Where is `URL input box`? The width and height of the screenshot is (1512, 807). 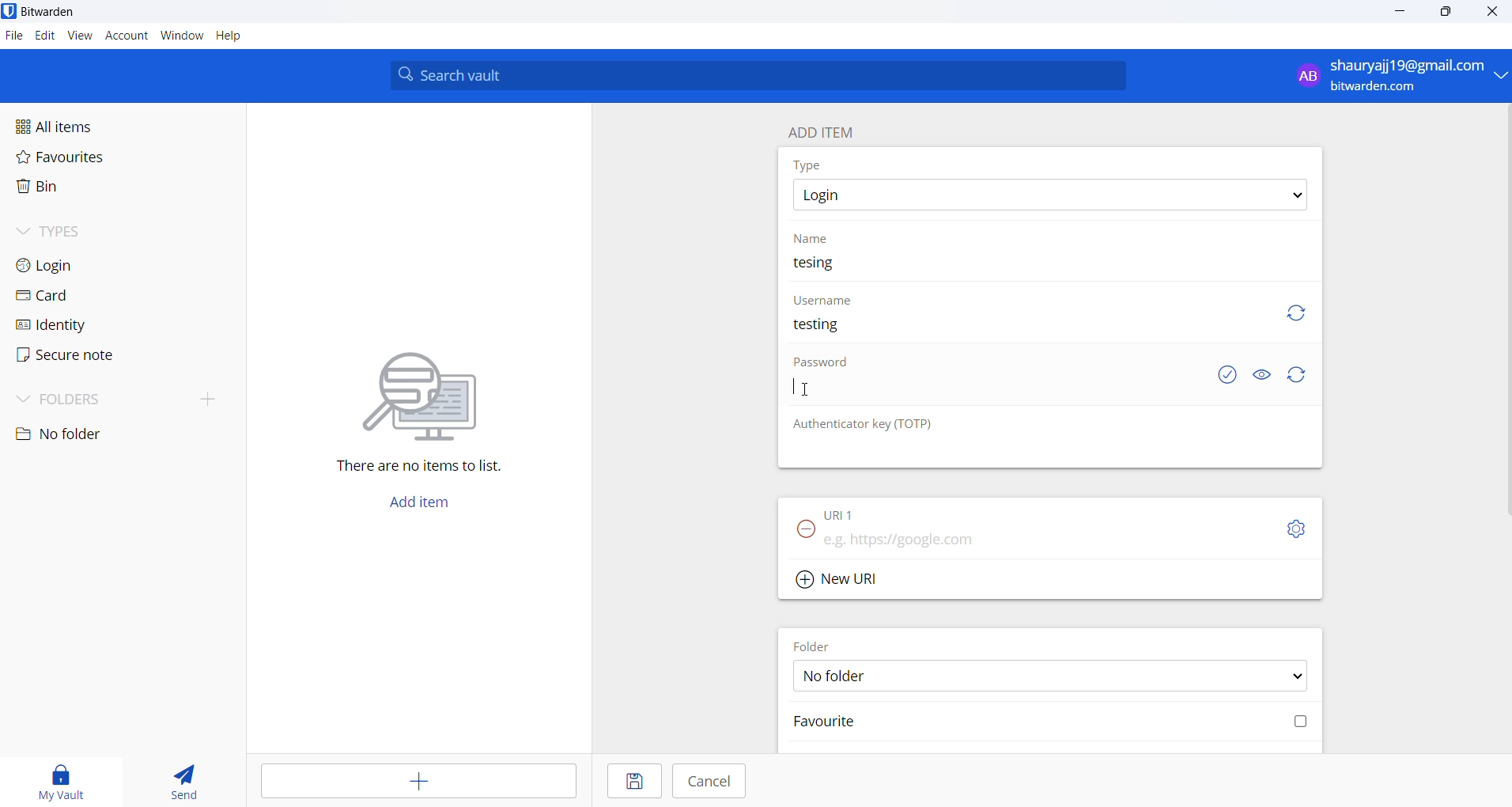 URL input box is located at coordinates (1045, 535).